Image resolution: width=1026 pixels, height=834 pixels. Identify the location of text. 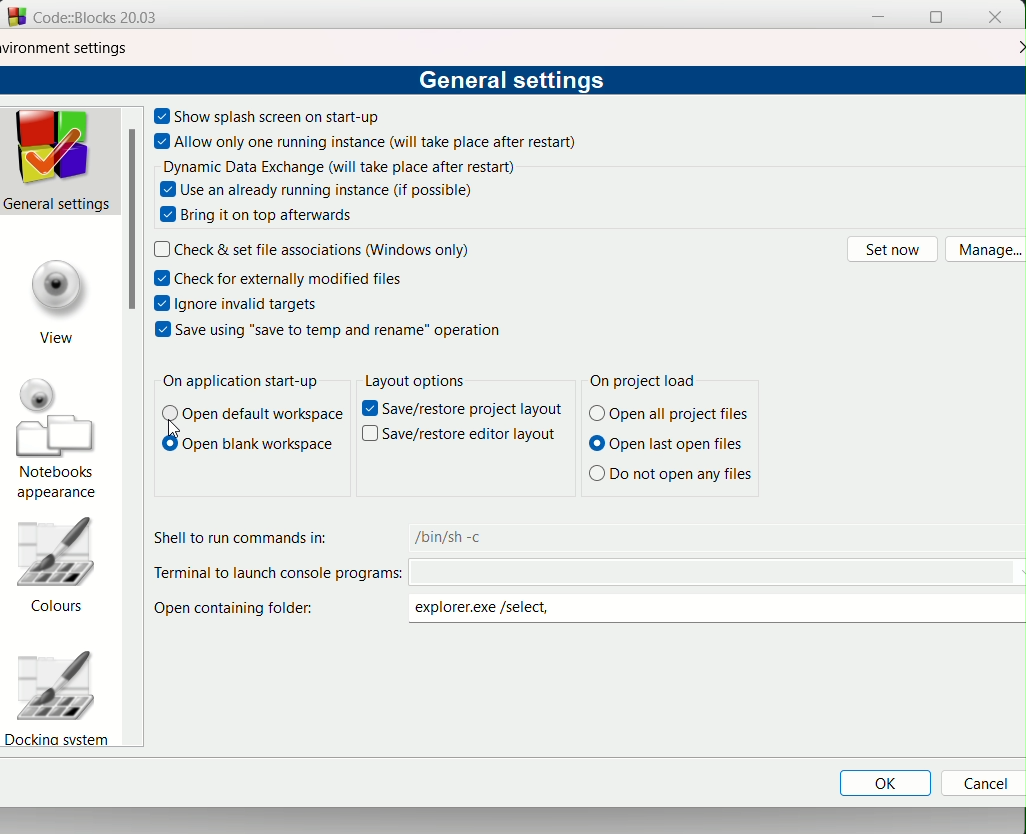
(339, 189).